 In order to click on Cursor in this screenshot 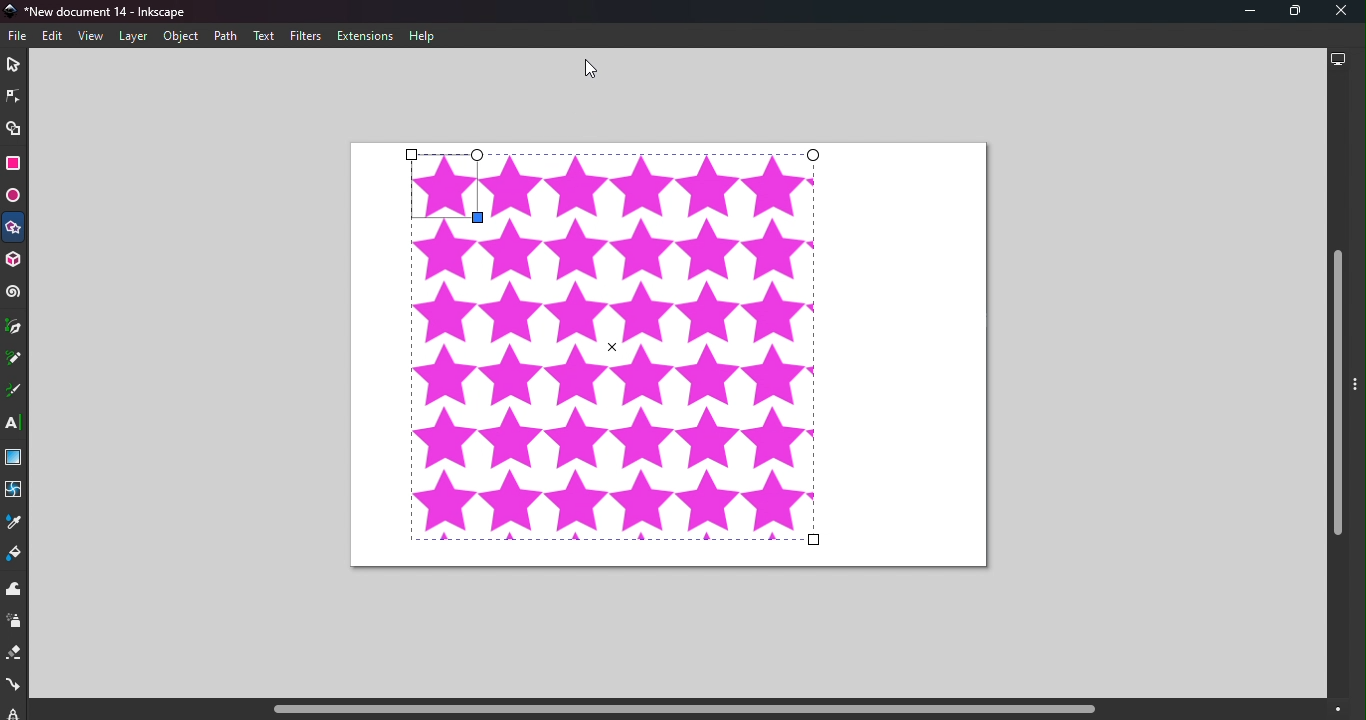, I will do `click(590, 66)`.